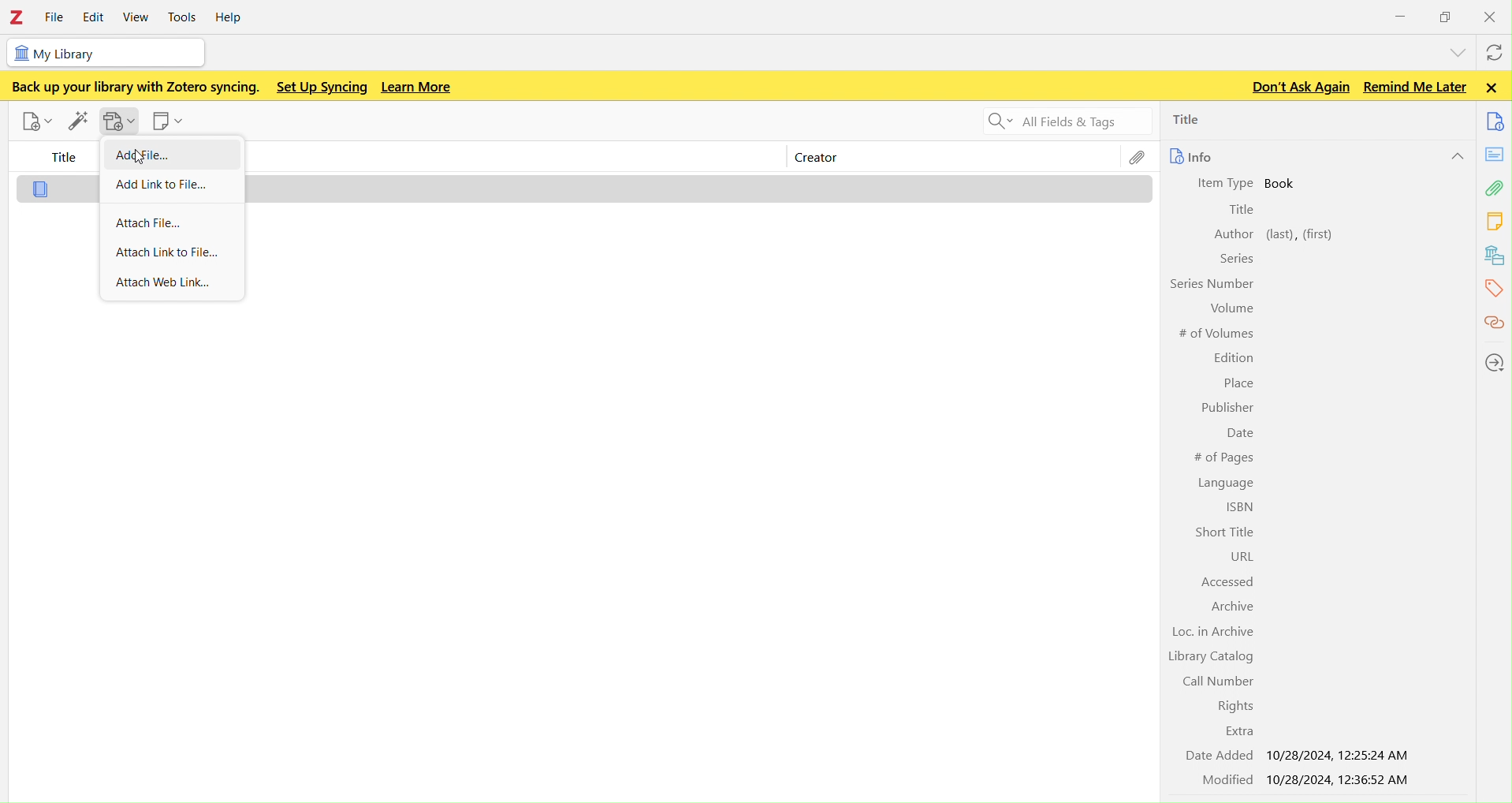 The height and width of the screenshot is (803, 1512). Describe the element at coordinates (1239, 383) in the screenshot. I see `Place` at that location.